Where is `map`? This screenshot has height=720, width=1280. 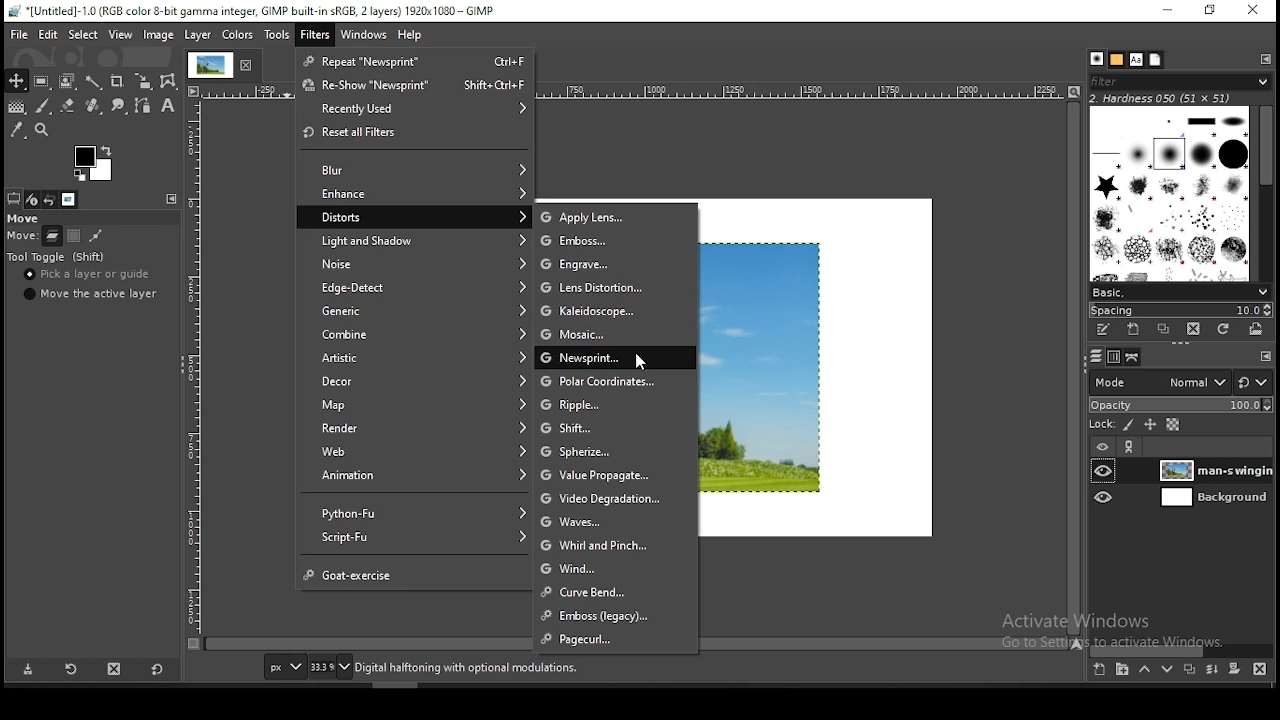
map is located at coordinates (414, 405).